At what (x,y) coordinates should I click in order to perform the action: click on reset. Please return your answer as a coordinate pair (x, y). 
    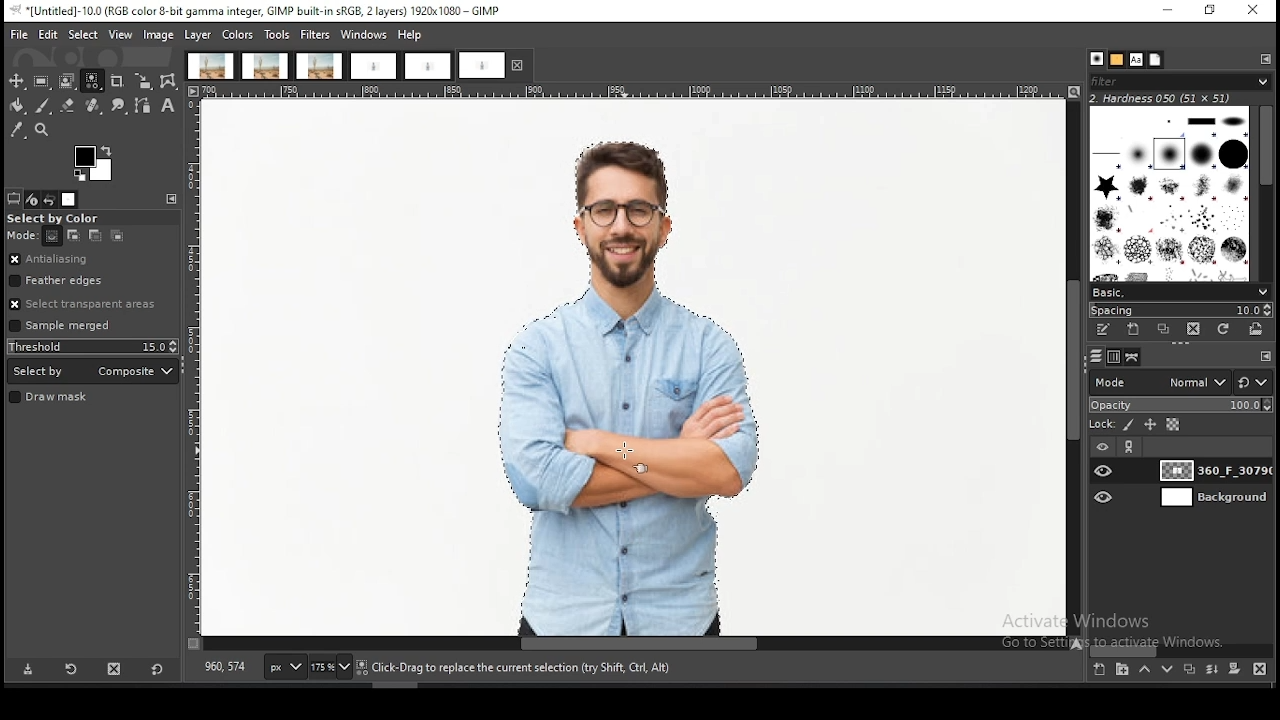
    Looking at the image, I should click on (1254, 381).